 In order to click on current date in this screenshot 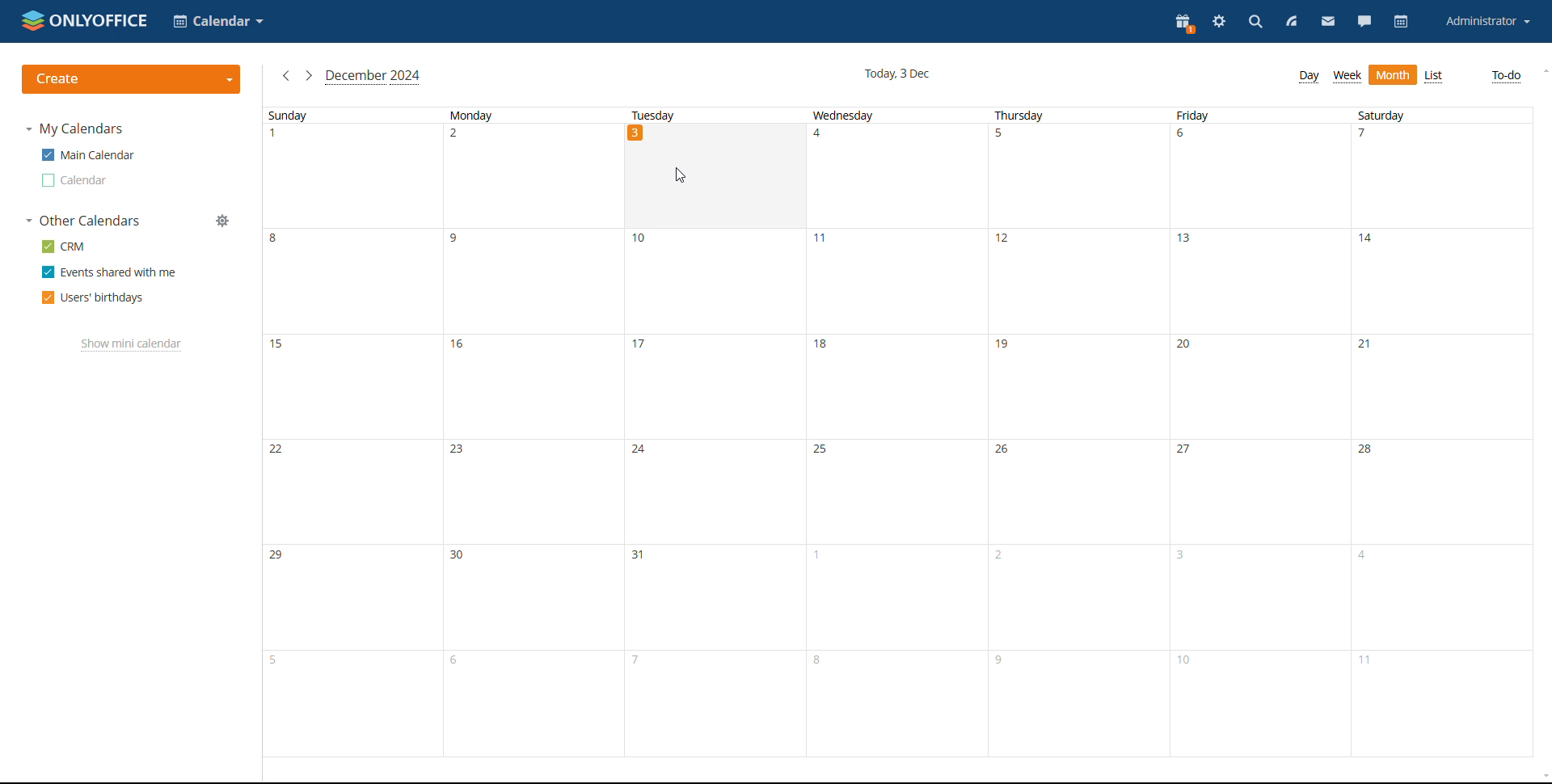, I will do `click(896, 72)`.